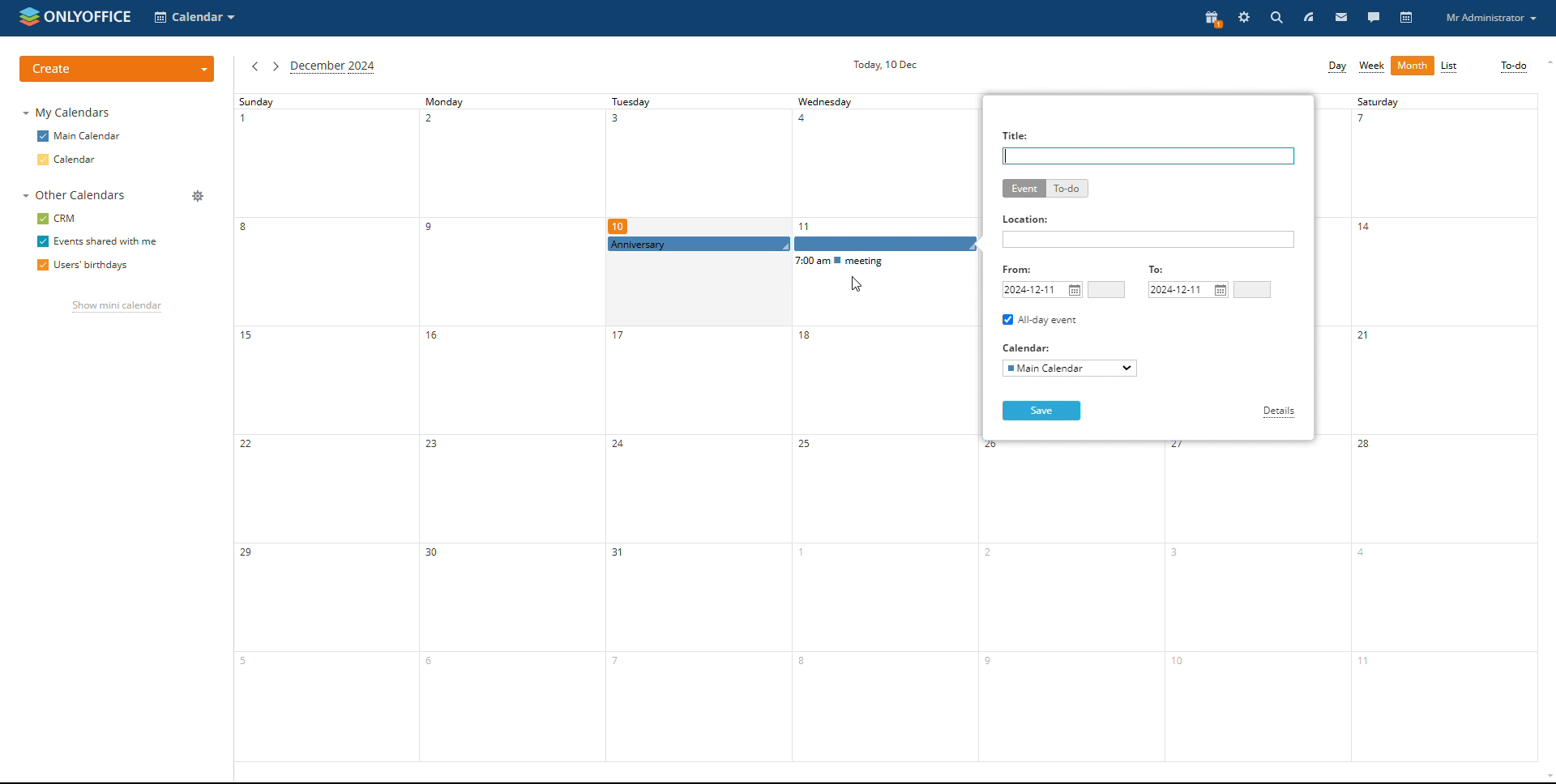 Image resolution: width=1556 pixels, height=784 pixels. I want to click on scroll up, so click(1546, 62).